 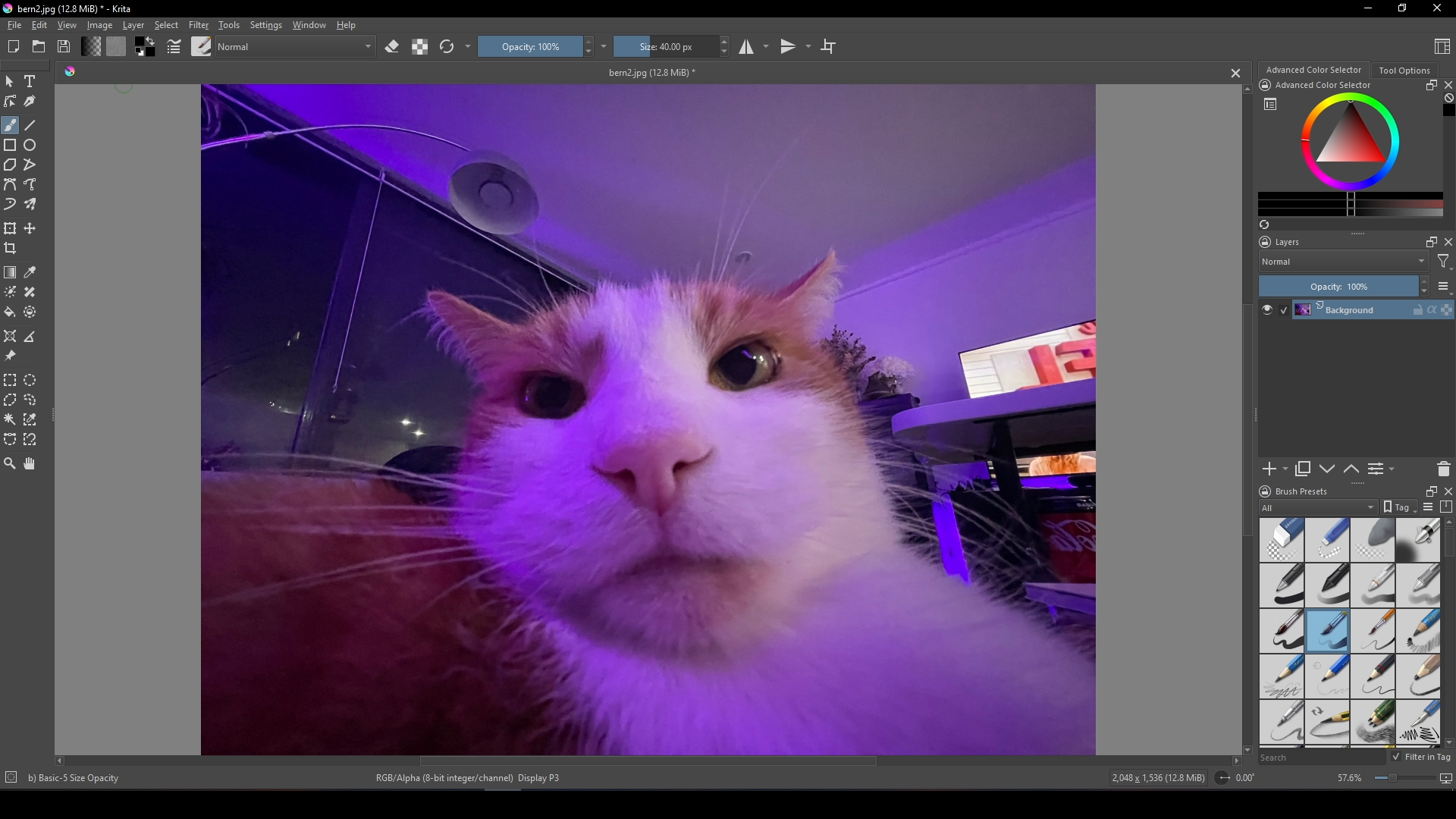 I want to click on Thumbnail settings, so click(x=1443, y=286).